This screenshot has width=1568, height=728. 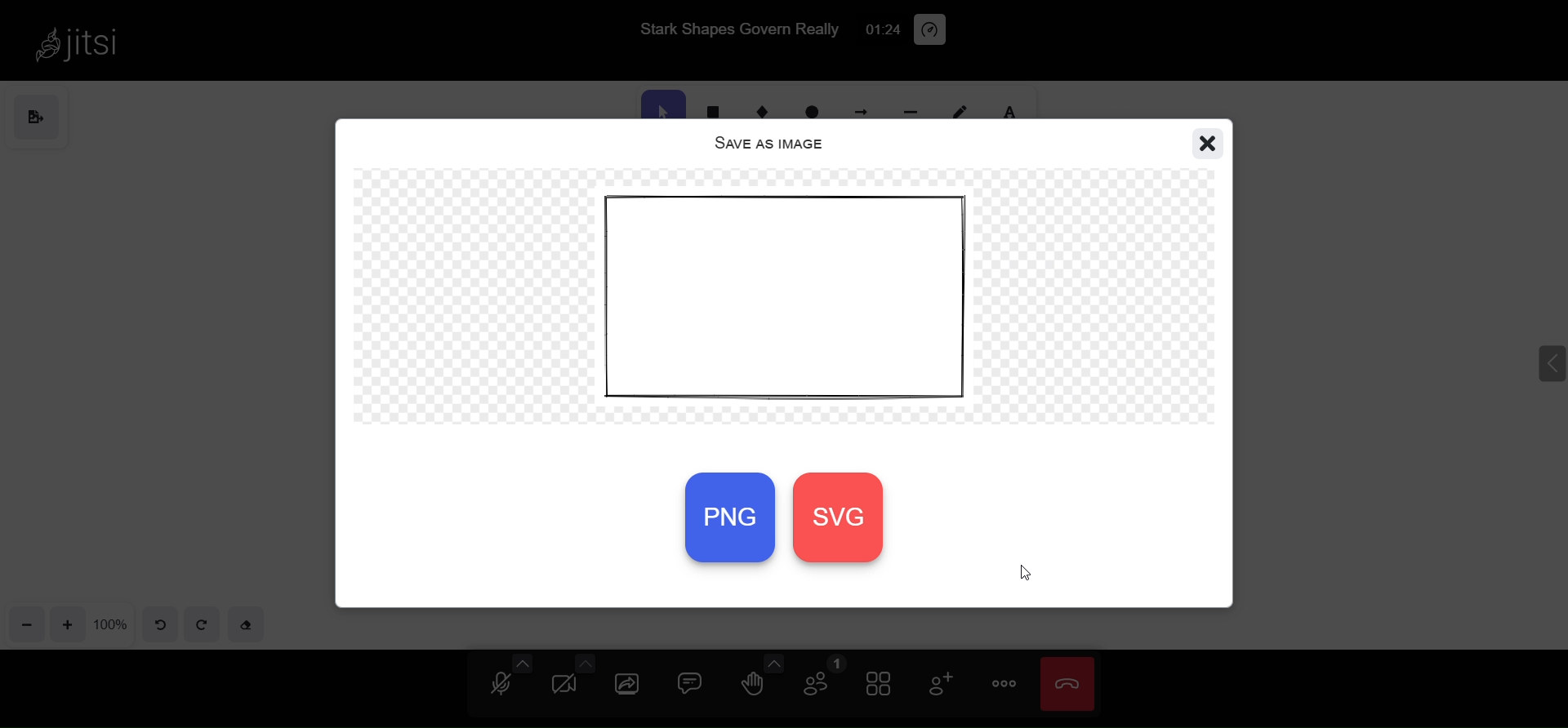 What do you see at coordinates (520, 663) in the screenshot?
I see `more audio option` at bounding box center [520, 663].